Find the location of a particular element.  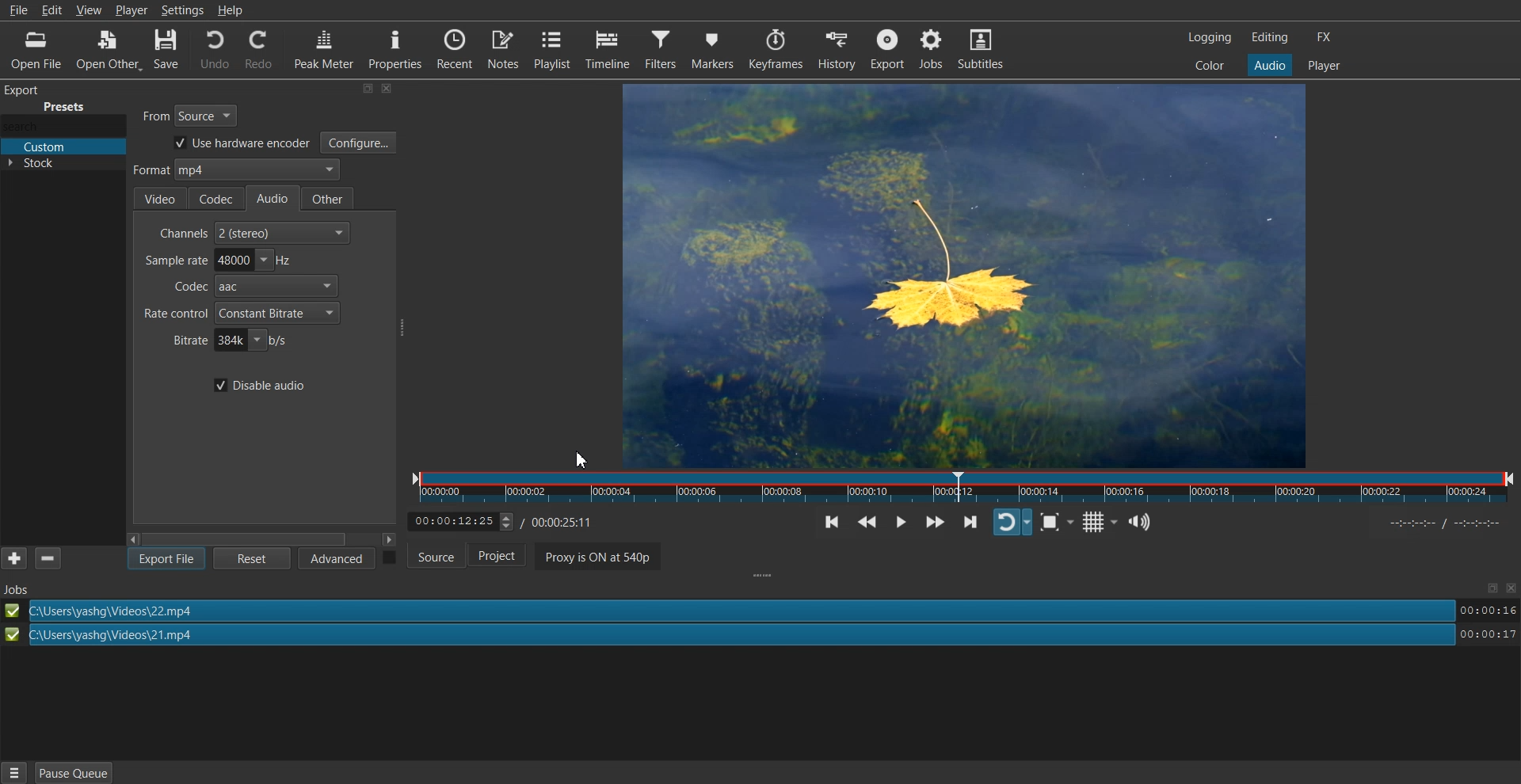

Edit is located at coordinates (54, 9).